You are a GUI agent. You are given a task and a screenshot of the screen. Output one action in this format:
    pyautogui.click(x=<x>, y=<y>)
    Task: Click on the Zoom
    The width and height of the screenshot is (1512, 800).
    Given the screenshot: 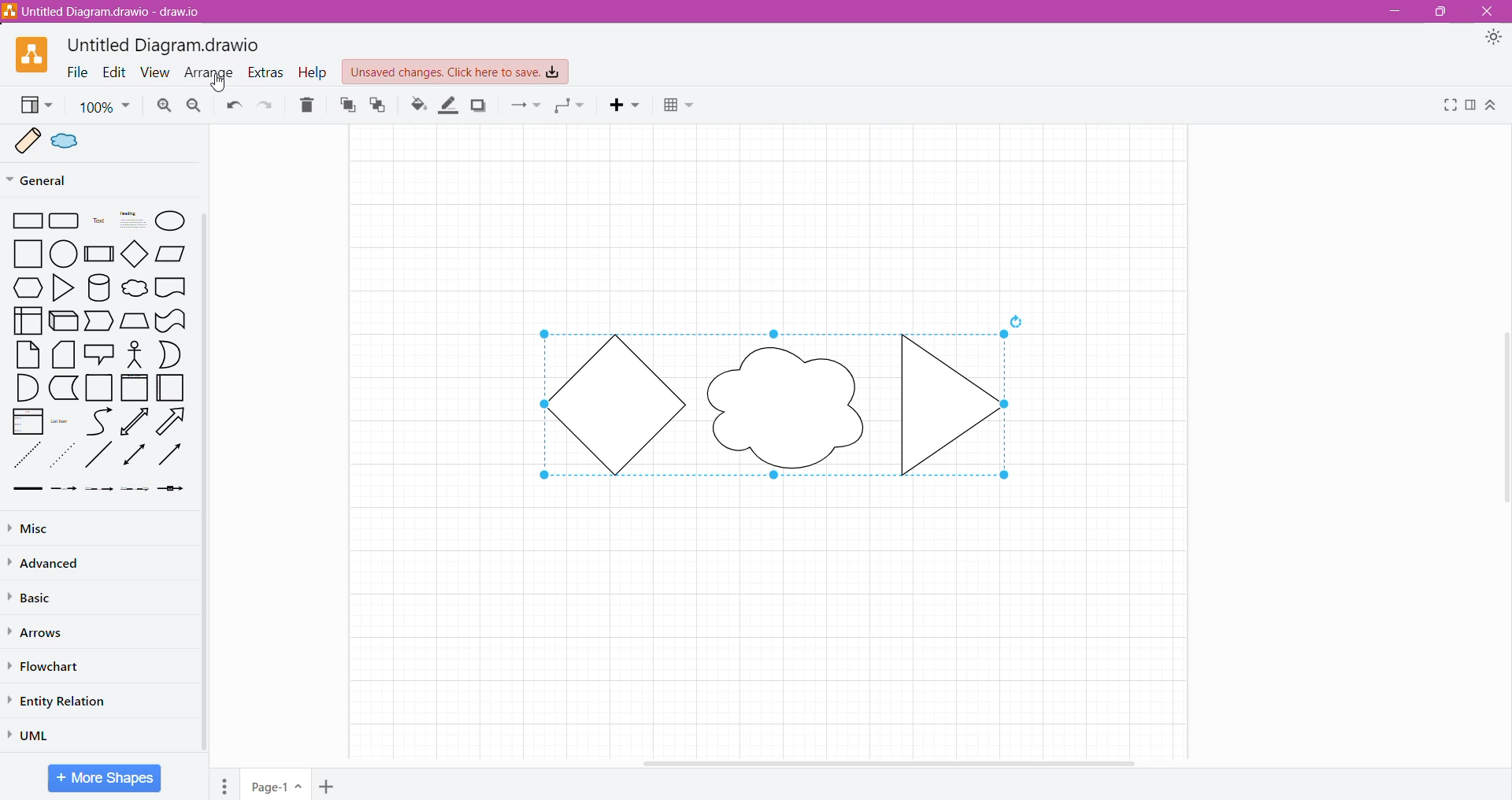 What is the action you would take?
    pyautogui.click(x=106, y=107)
    